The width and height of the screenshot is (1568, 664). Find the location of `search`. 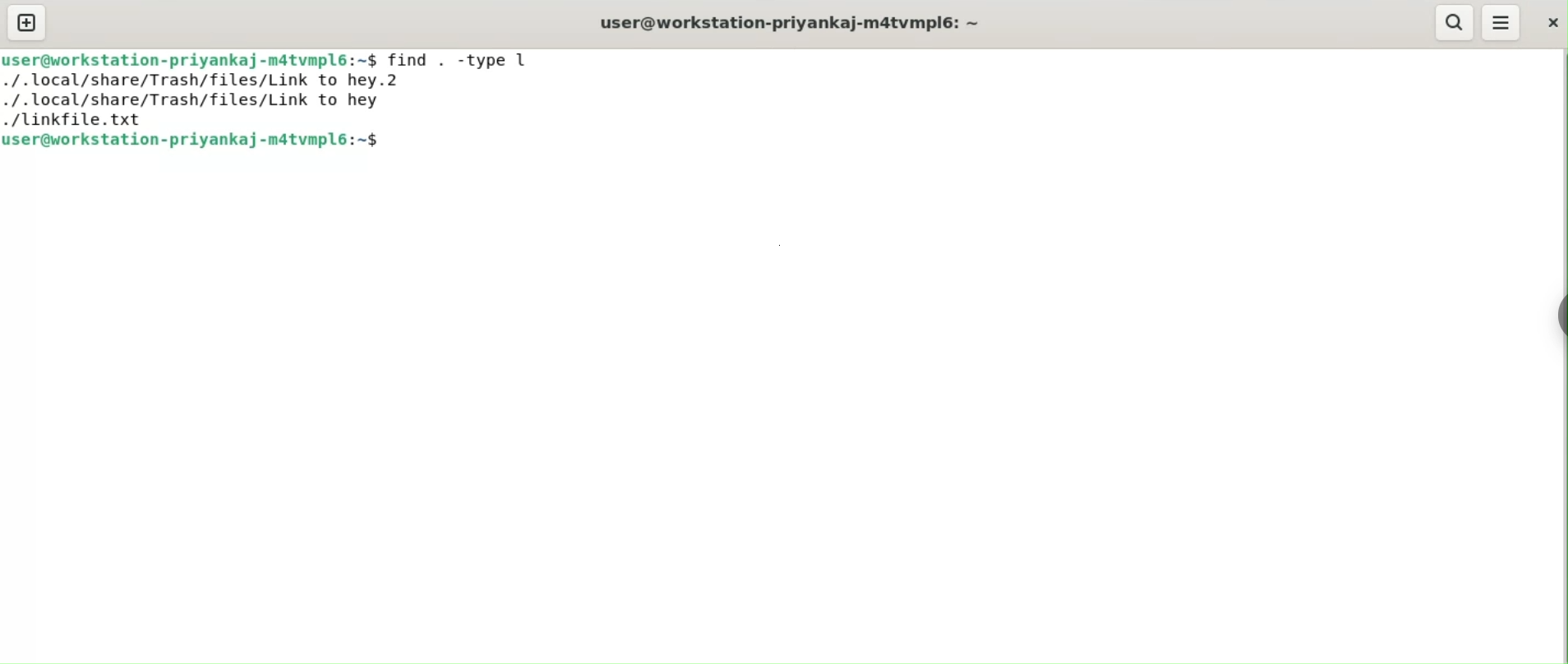

search is located at coordinates (1453, 22).